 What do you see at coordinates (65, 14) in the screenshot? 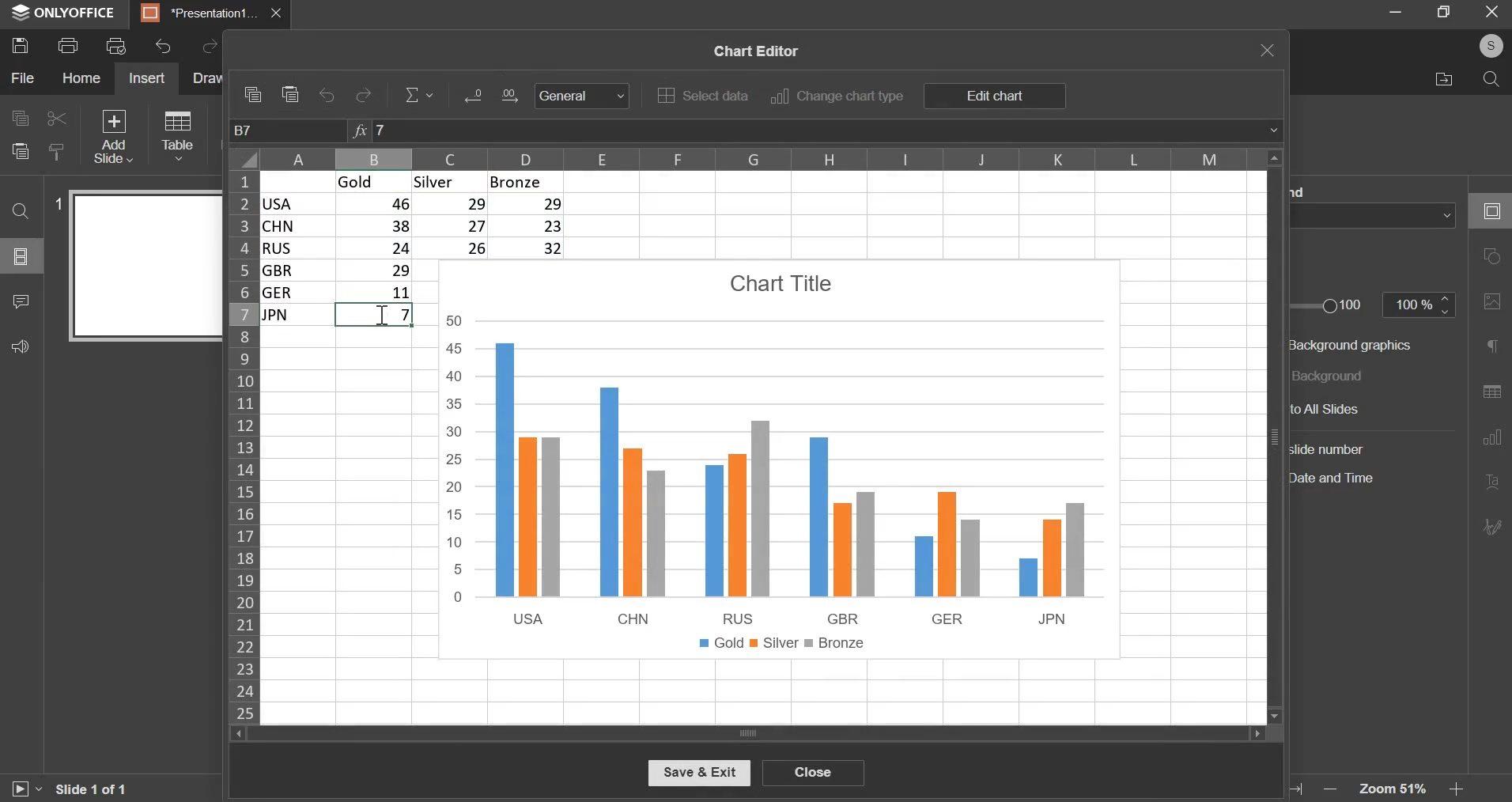
I see `window name` at bounding box center [65, 14].